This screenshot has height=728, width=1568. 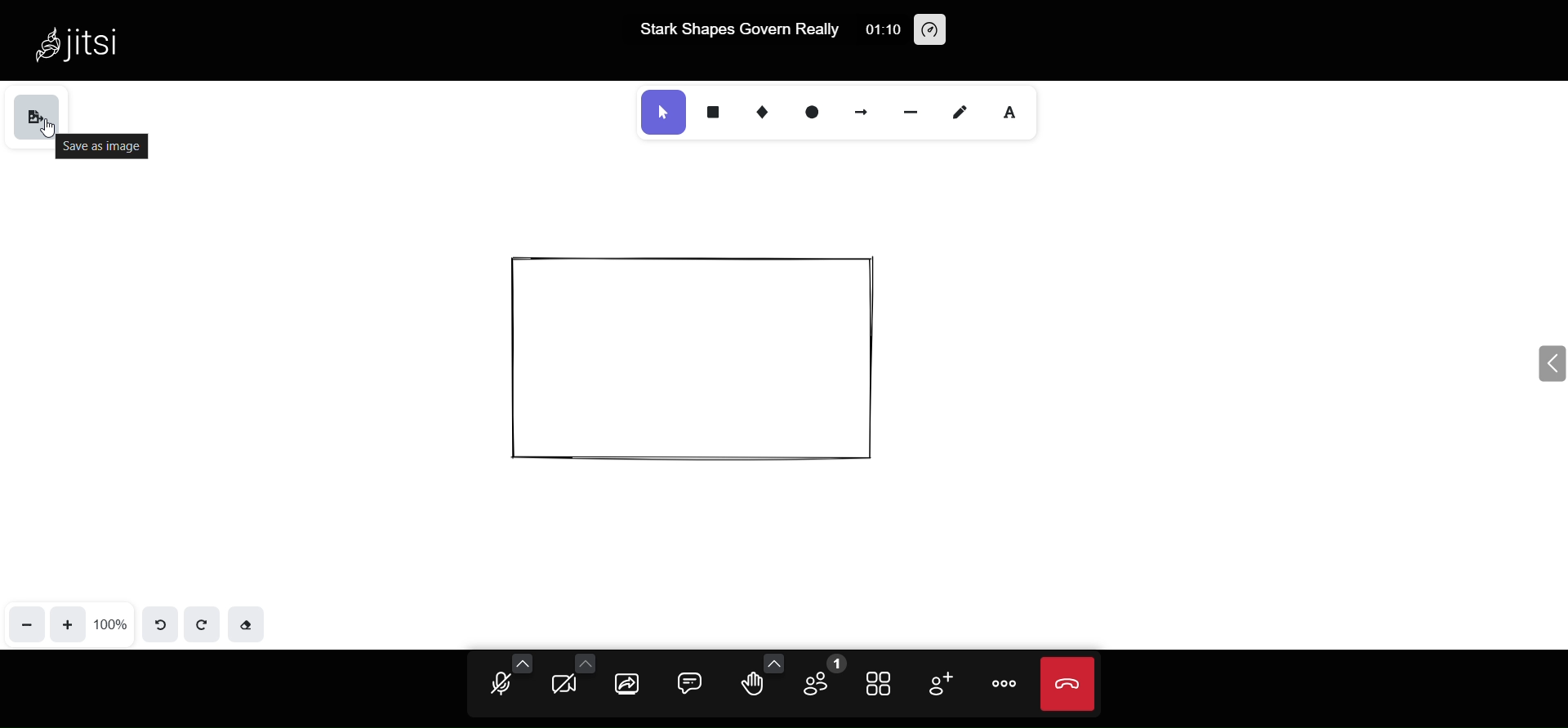 I want to click on Stark Shapes Govern Really, so click(x=733, y=28).